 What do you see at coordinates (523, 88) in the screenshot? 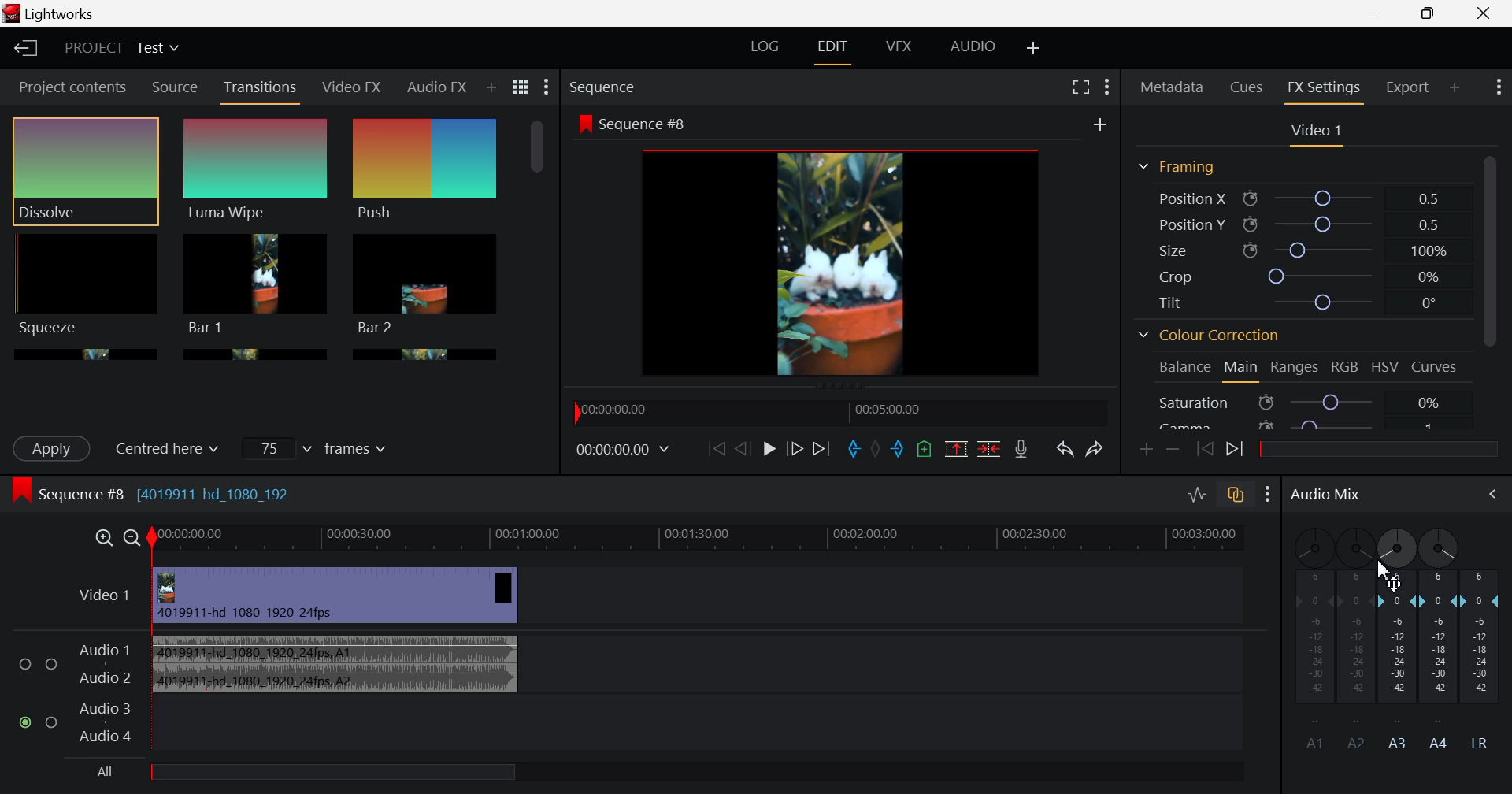
I see `Toggle list and title view` at bounding box center [523, 88].